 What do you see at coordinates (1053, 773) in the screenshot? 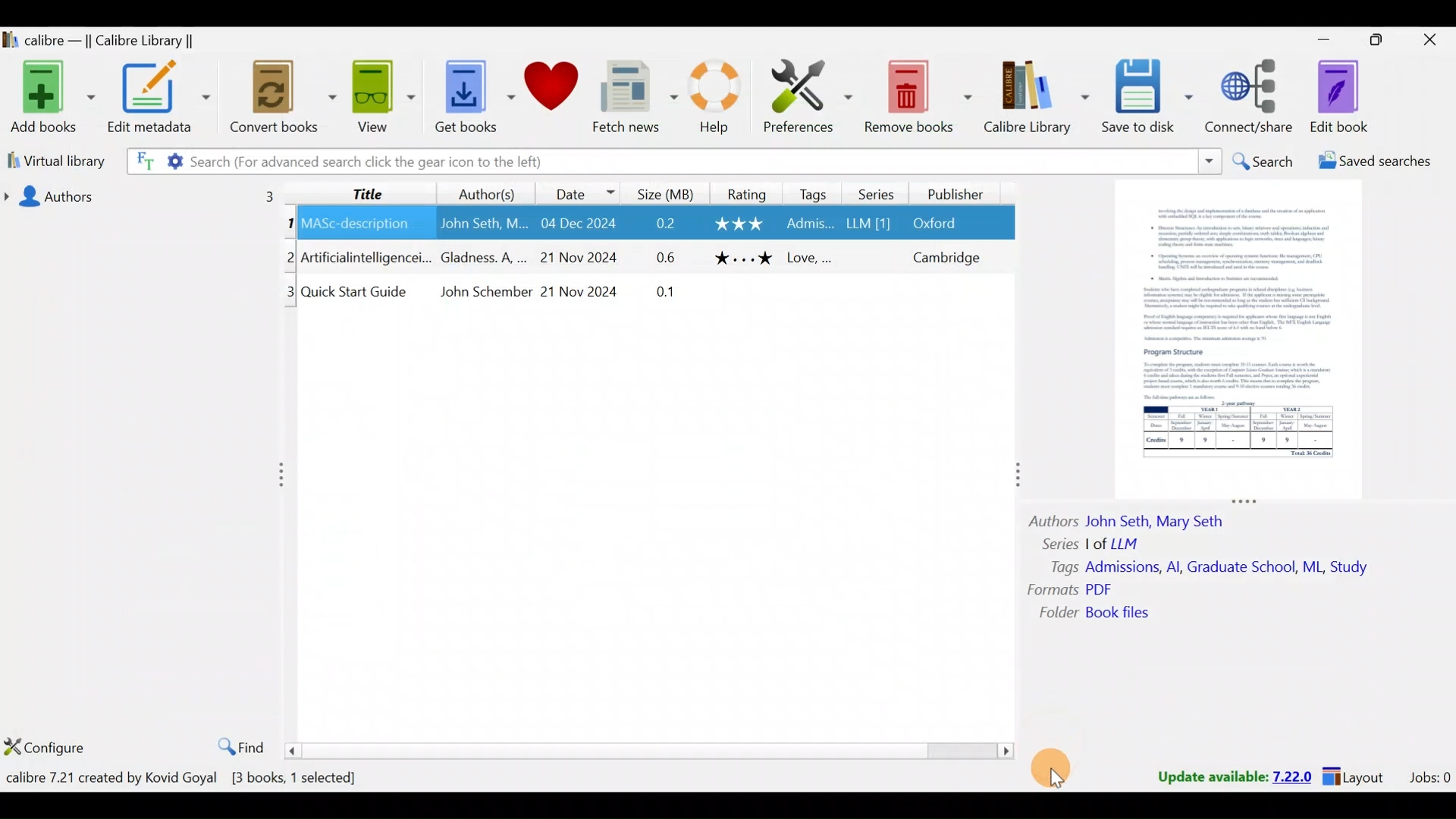
I see `Cursor` at bounding box center [1053, 773].